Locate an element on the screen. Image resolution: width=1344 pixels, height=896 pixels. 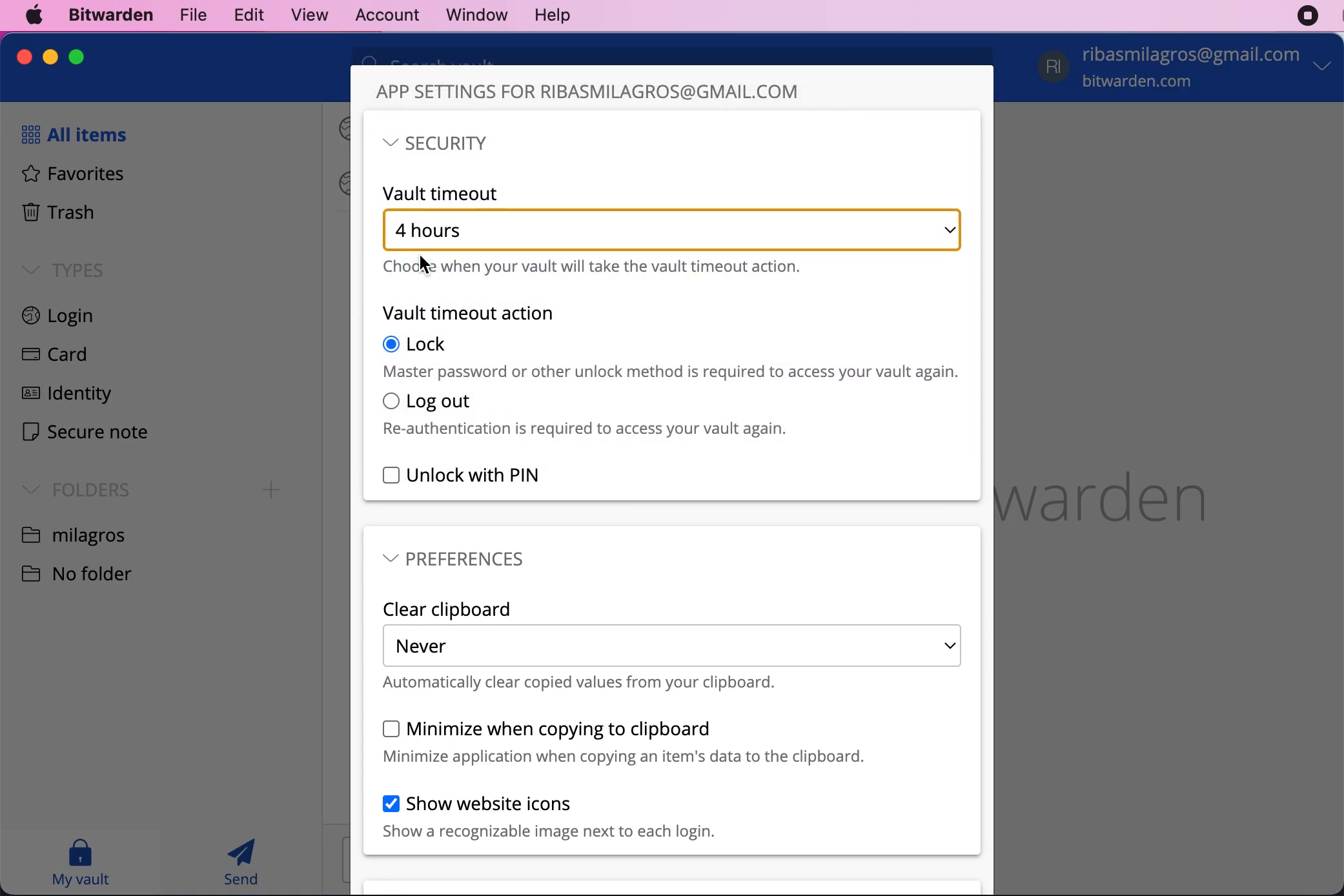
maximize is located at coordinates (76, 56).